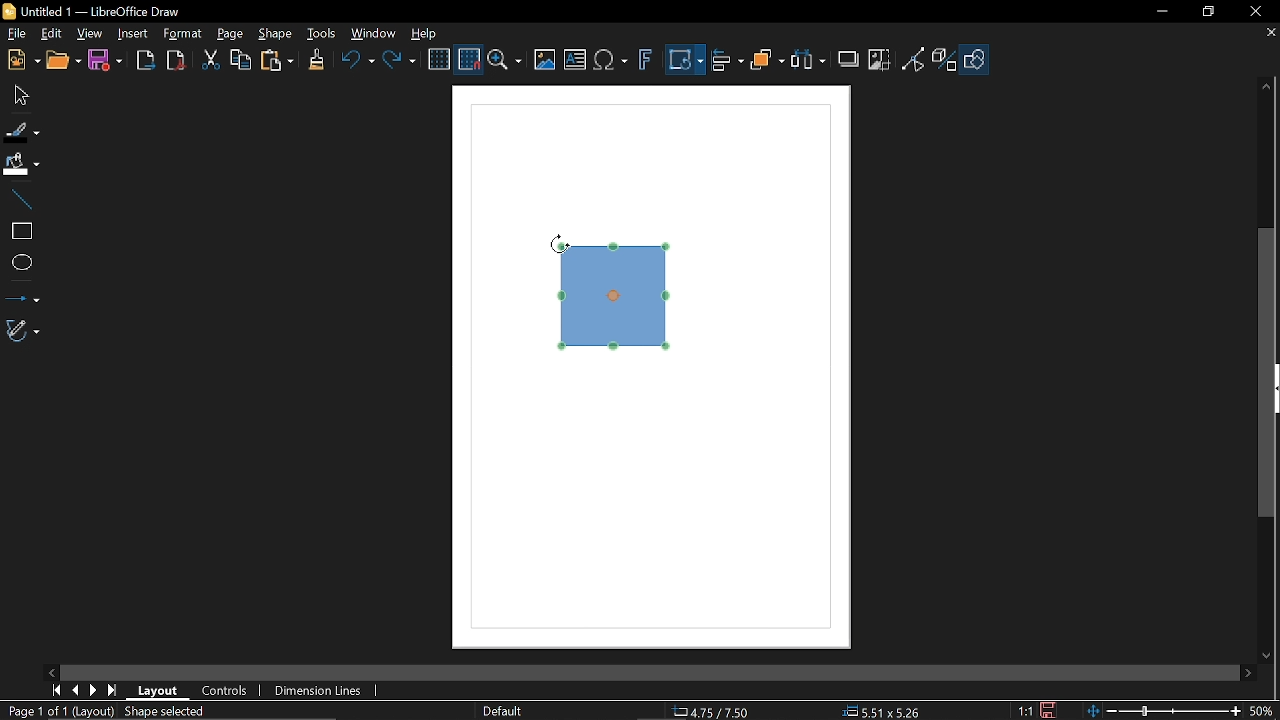  Describe the element at coordinates (208, 61) in the screenshot. I see `Cut` at that location.